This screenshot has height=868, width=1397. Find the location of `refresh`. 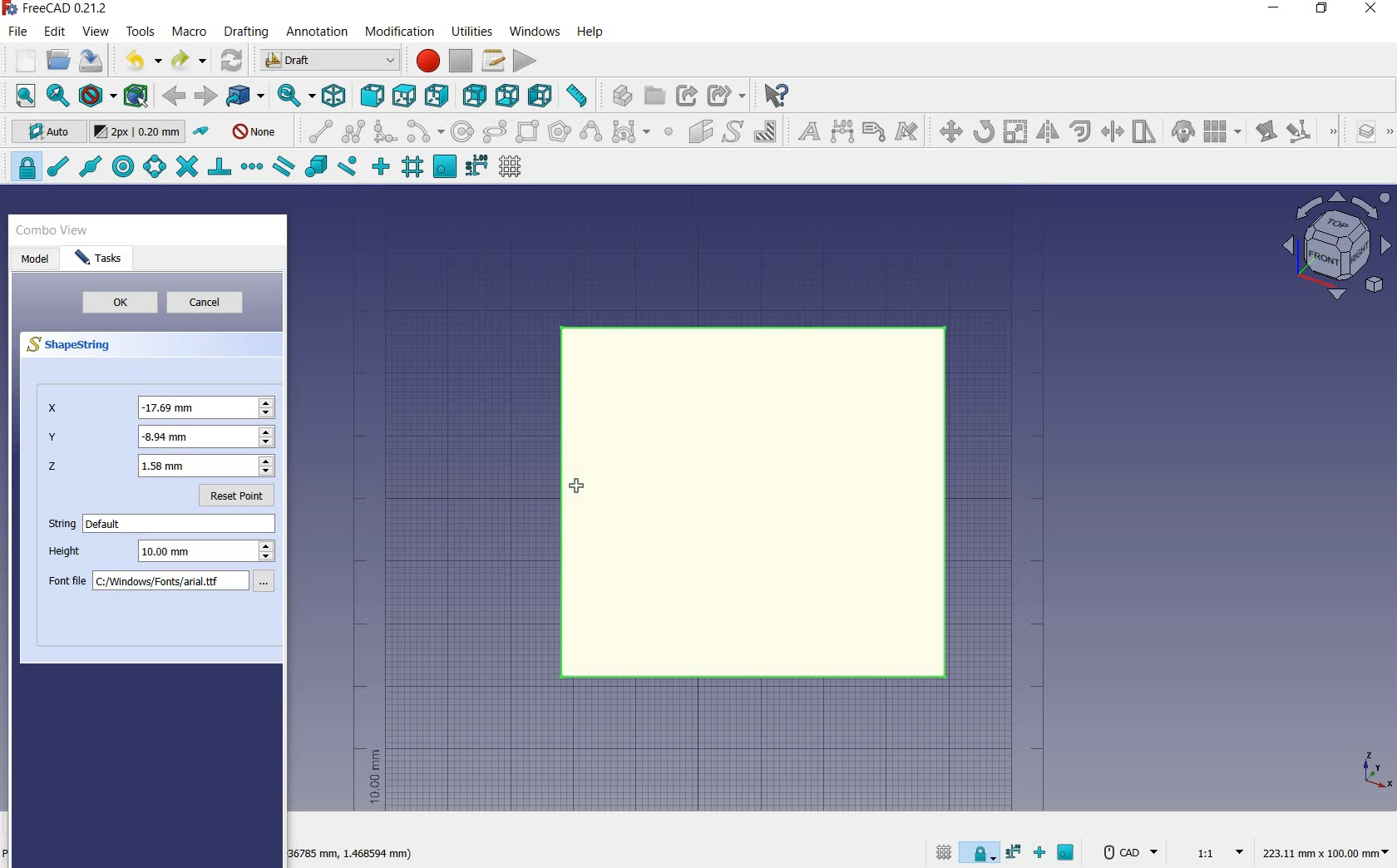

refresh is located at coordinates (233, 58).